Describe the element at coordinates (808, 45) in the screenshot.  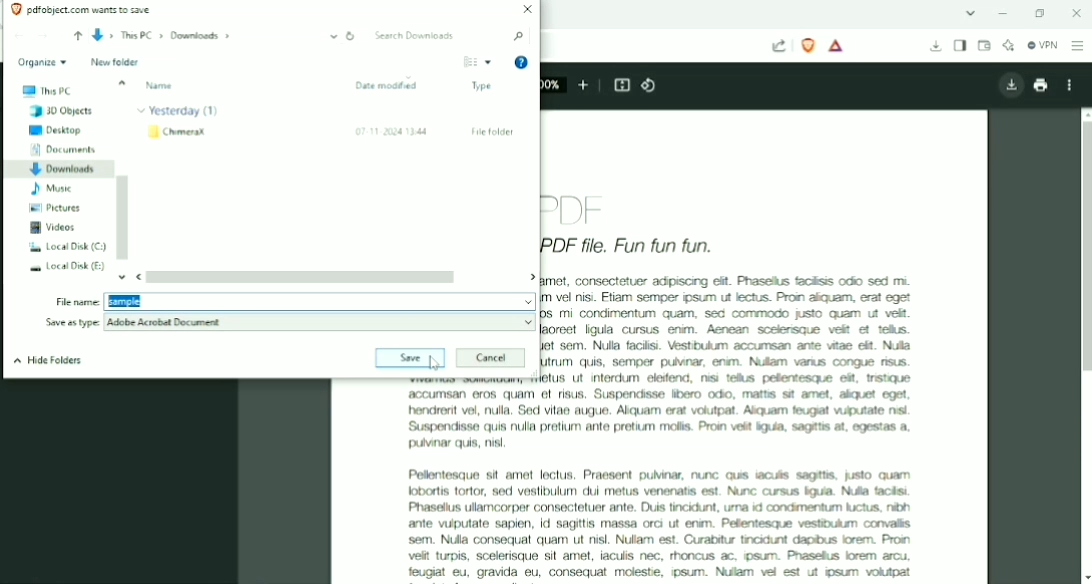
I see `Brave Shields` at that location.